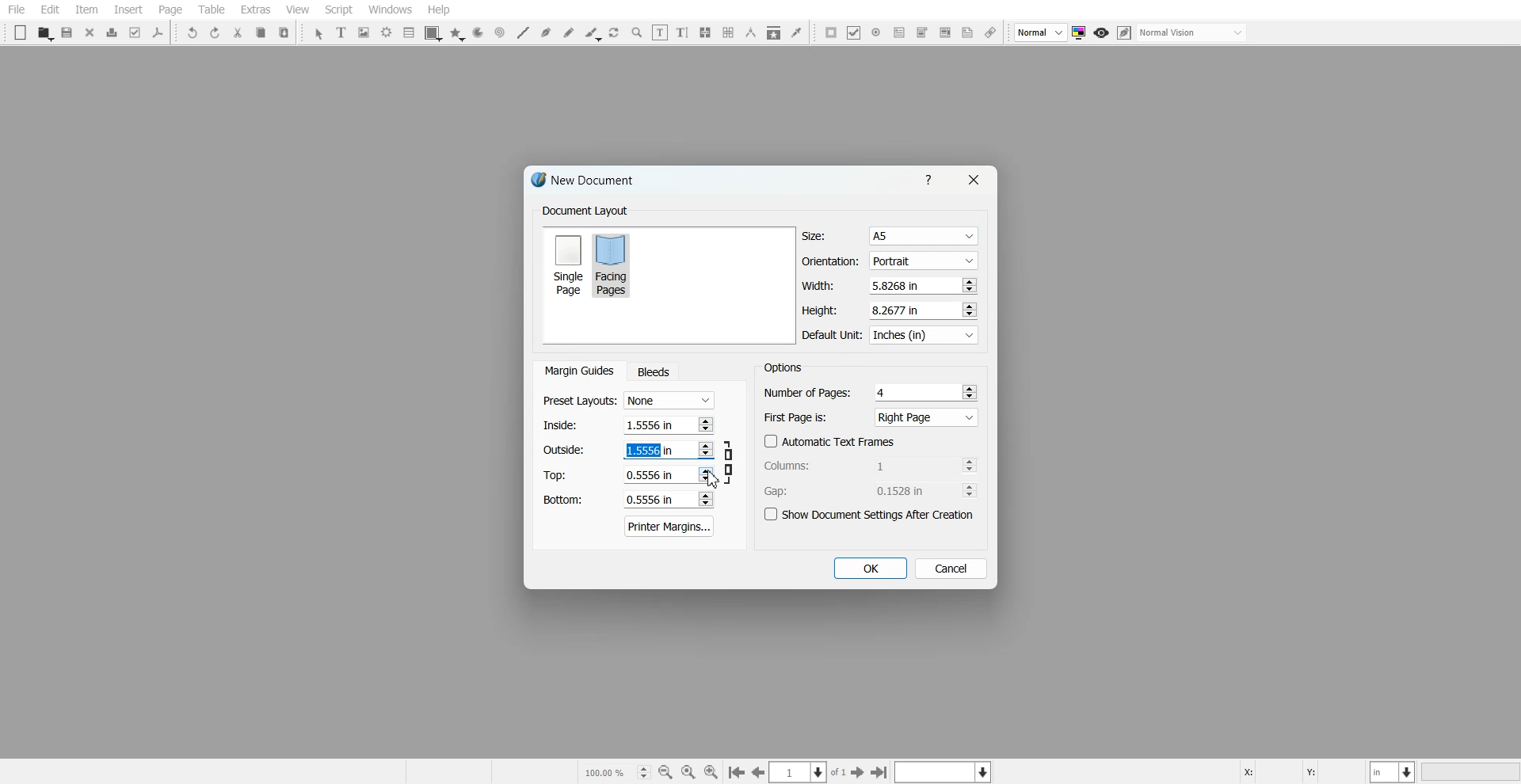 This screenshot has width=1521, height=784. What do you see at coordinates (585, 211) in the screenshot?
I see `Text` at bounding box center [585, 211].